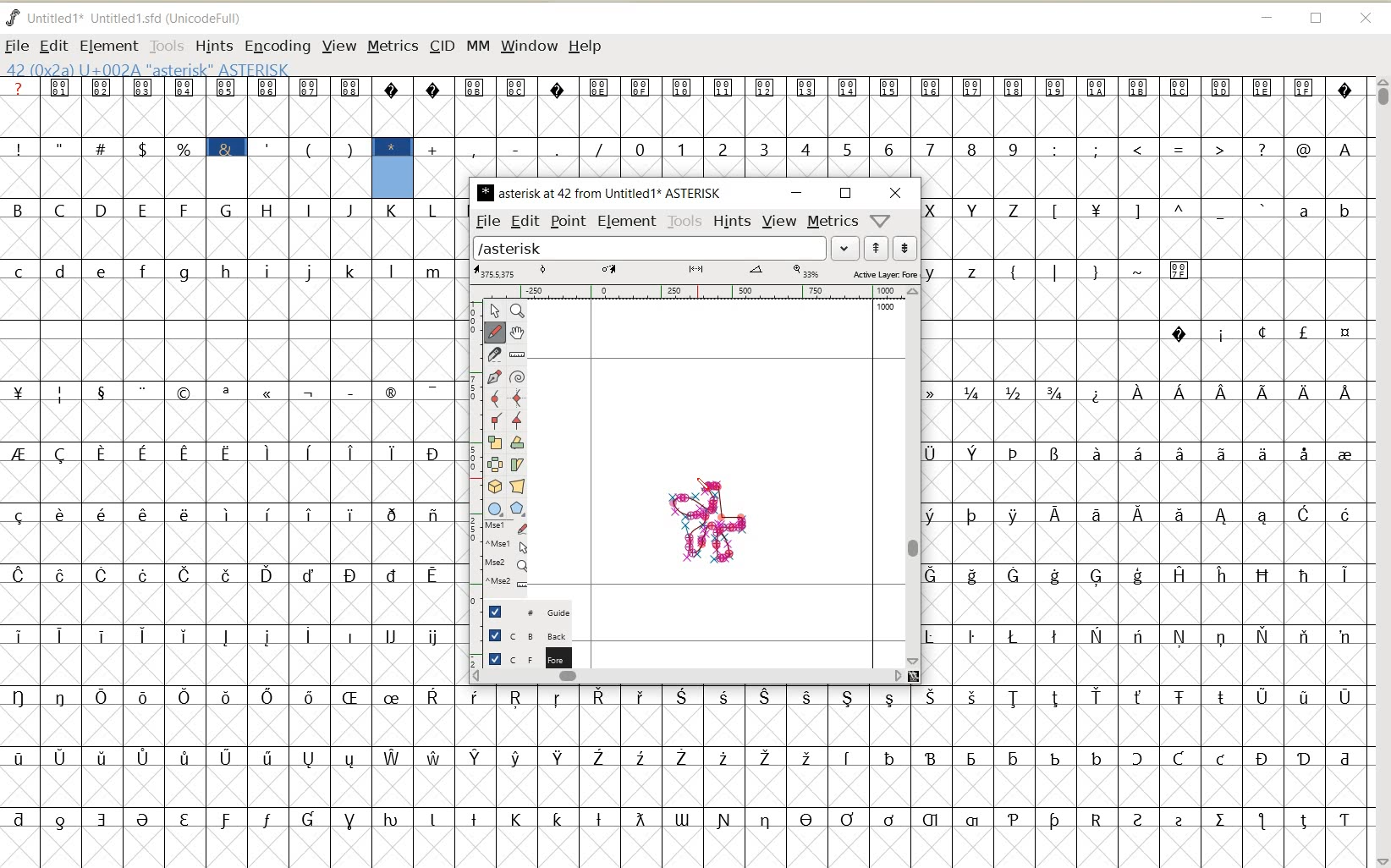  Describe the element at coordinates (517, 395) in the screenshot. I see `add a curve point always either horizontal or vertical` at that location.